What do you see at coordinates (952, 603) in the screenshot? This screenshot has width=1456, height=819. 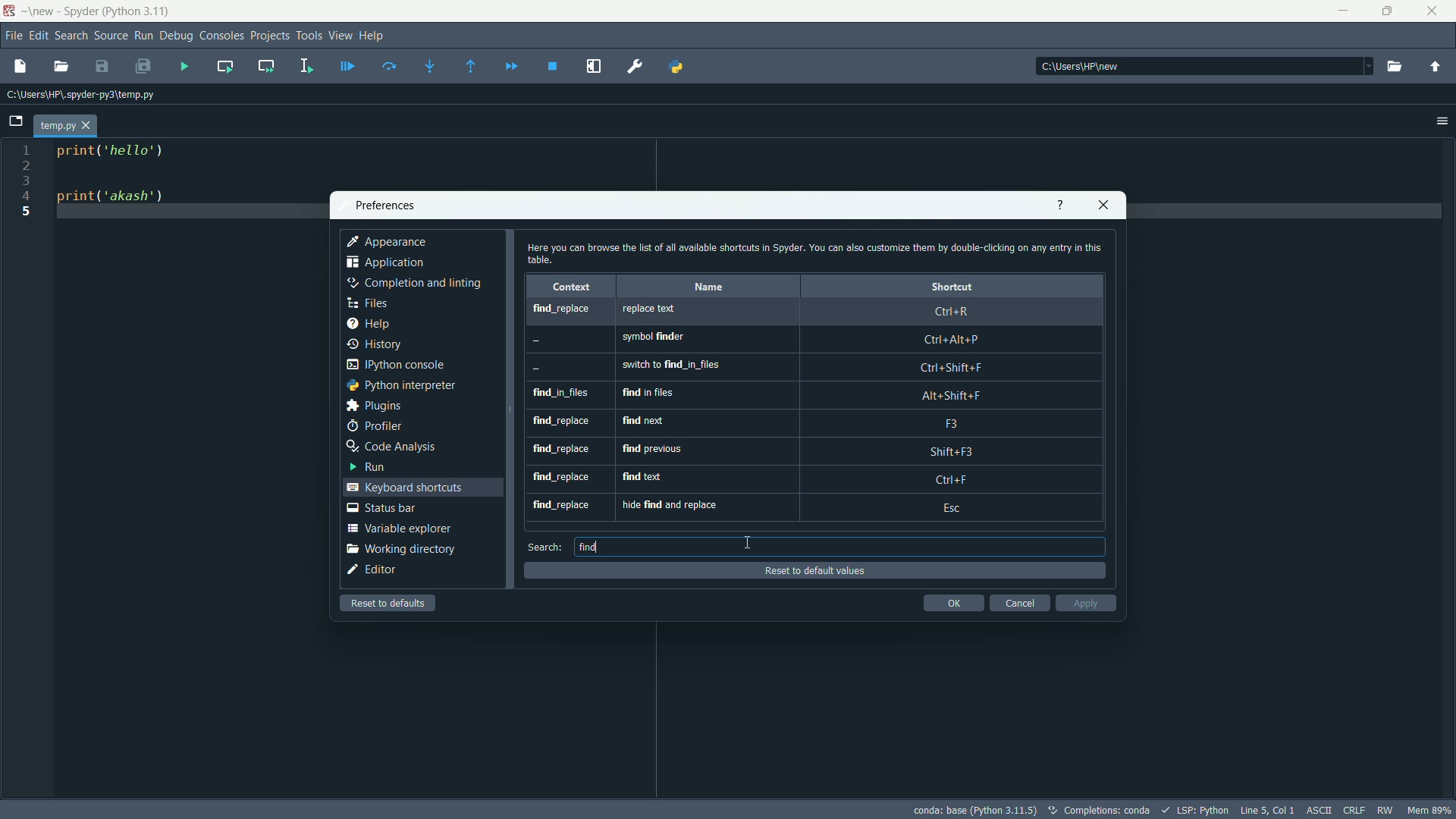 I see `ok` at bounding box center [952, 603].